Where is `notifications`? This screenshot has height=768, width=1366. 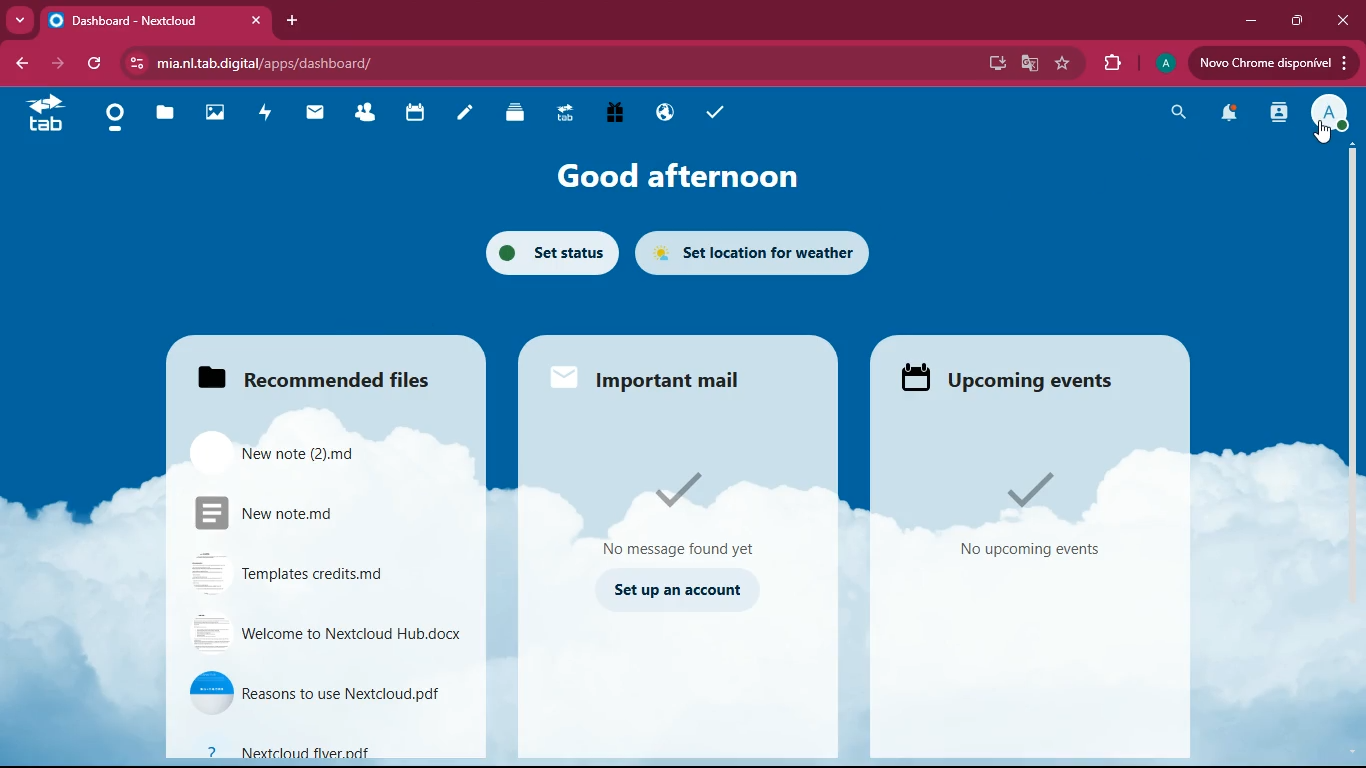 notifications is located at coordinates (1224, 116).